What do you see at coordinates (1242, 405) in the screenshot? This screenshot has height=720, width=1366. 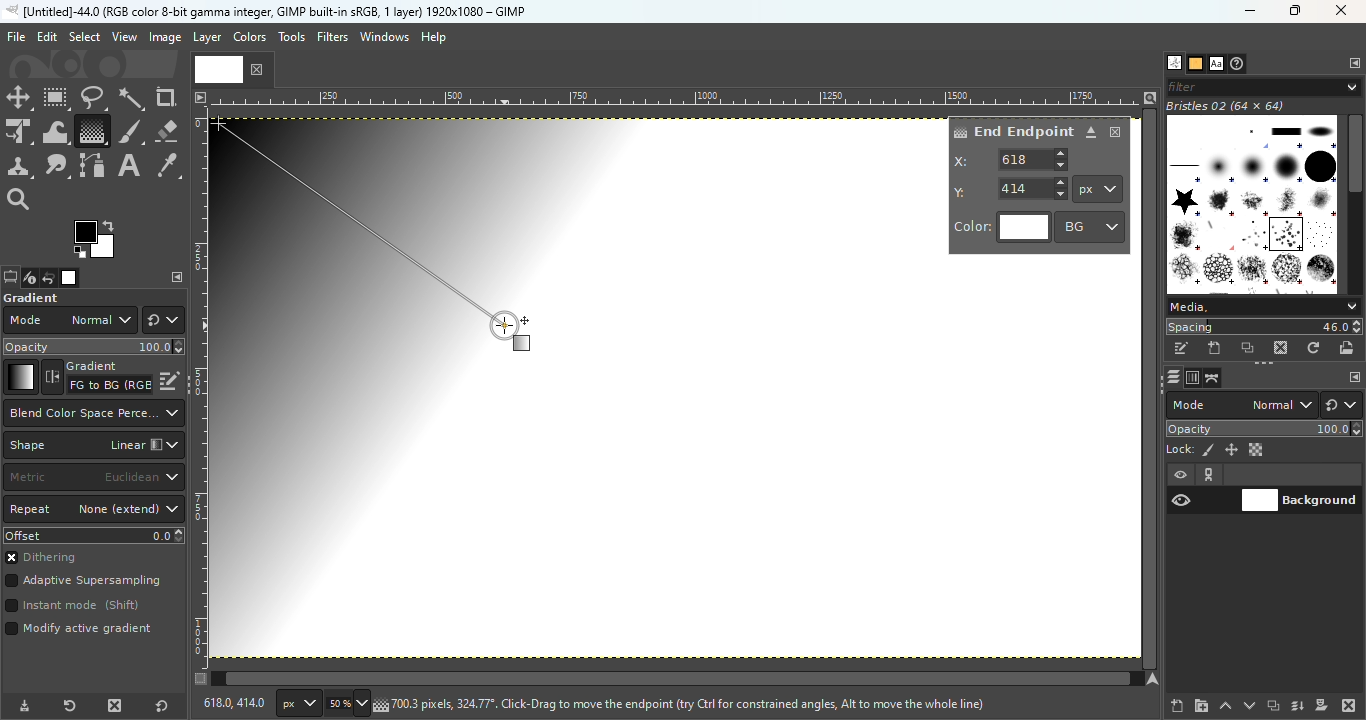 I see `Mode` at bounding box center [1242, 405].